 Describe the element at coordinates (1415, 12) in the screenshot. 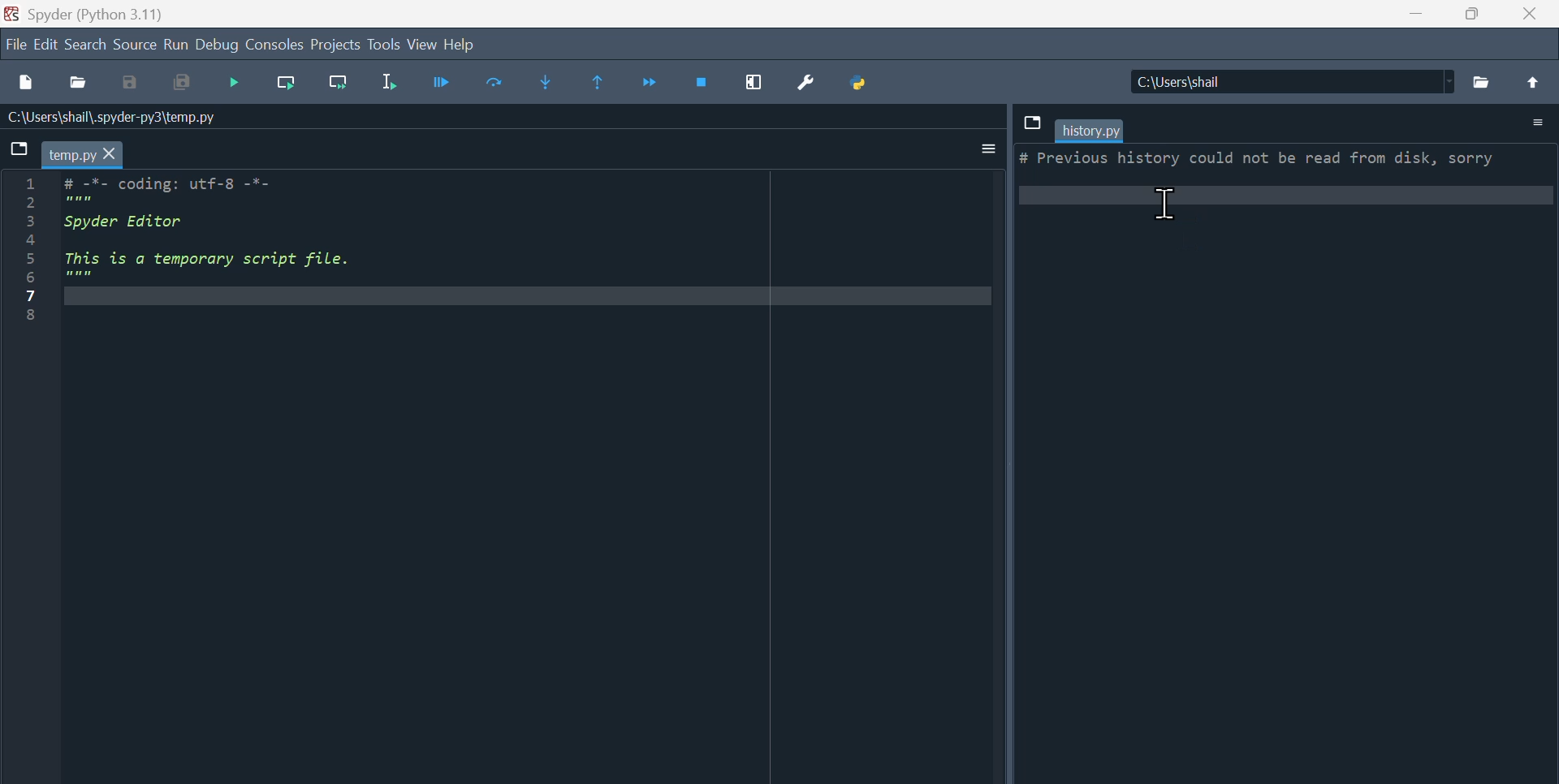

I see `minimize` at that location.